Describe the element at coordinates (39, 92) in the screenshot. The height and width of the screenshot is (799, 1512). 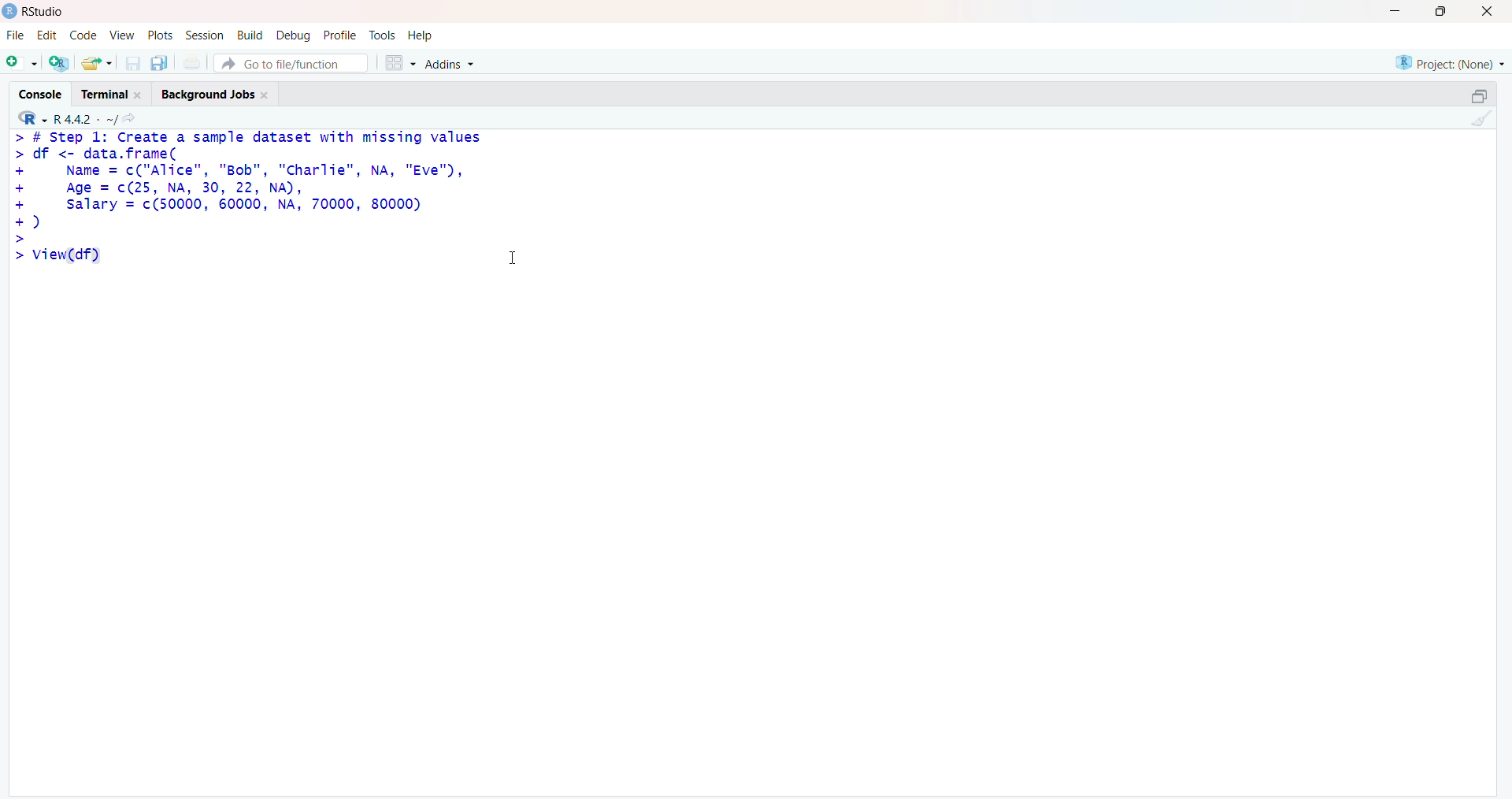
I see `Console` at that location.